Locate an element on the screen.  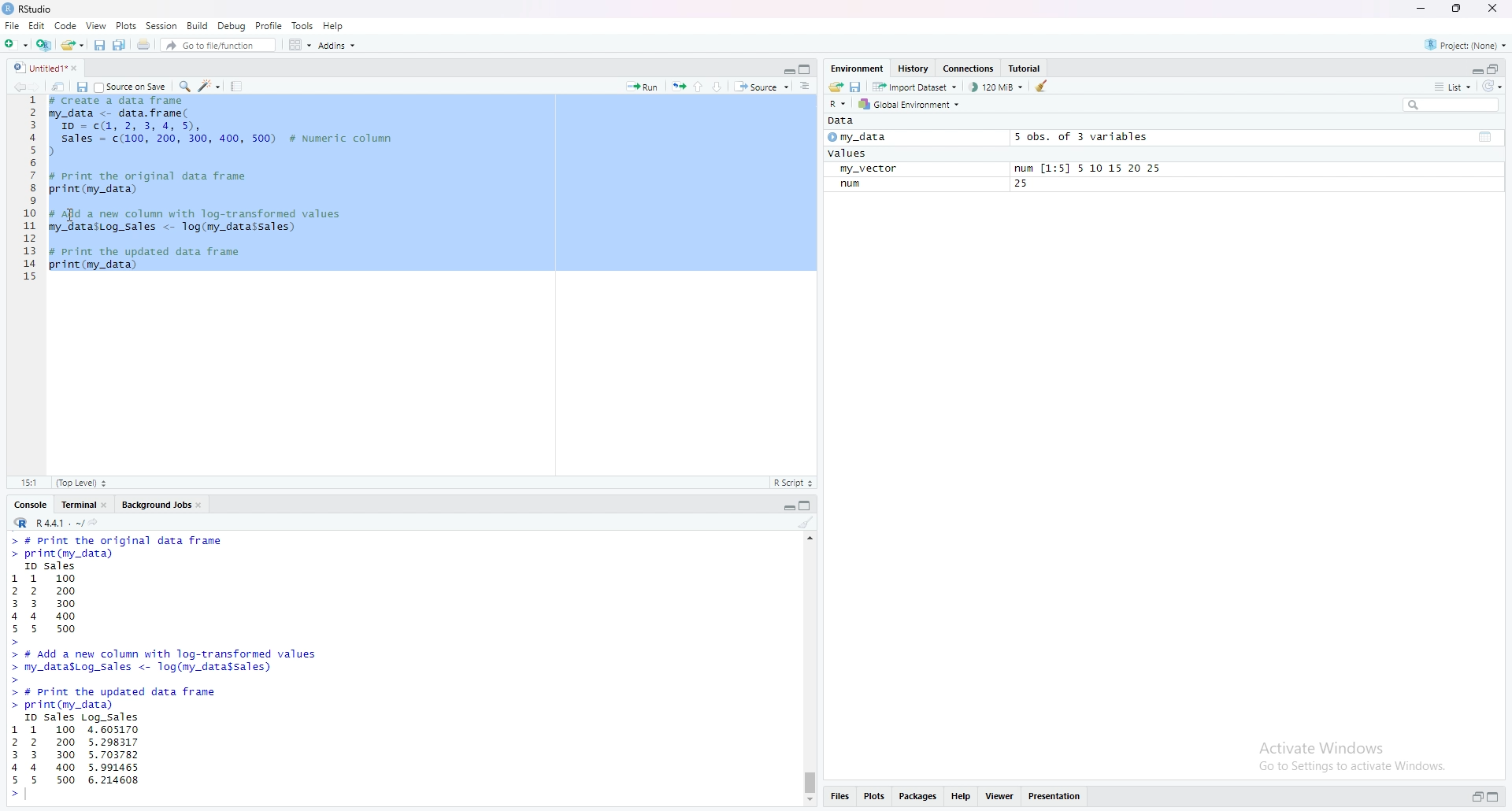
Import dataset is located at coordinates (918, 87).